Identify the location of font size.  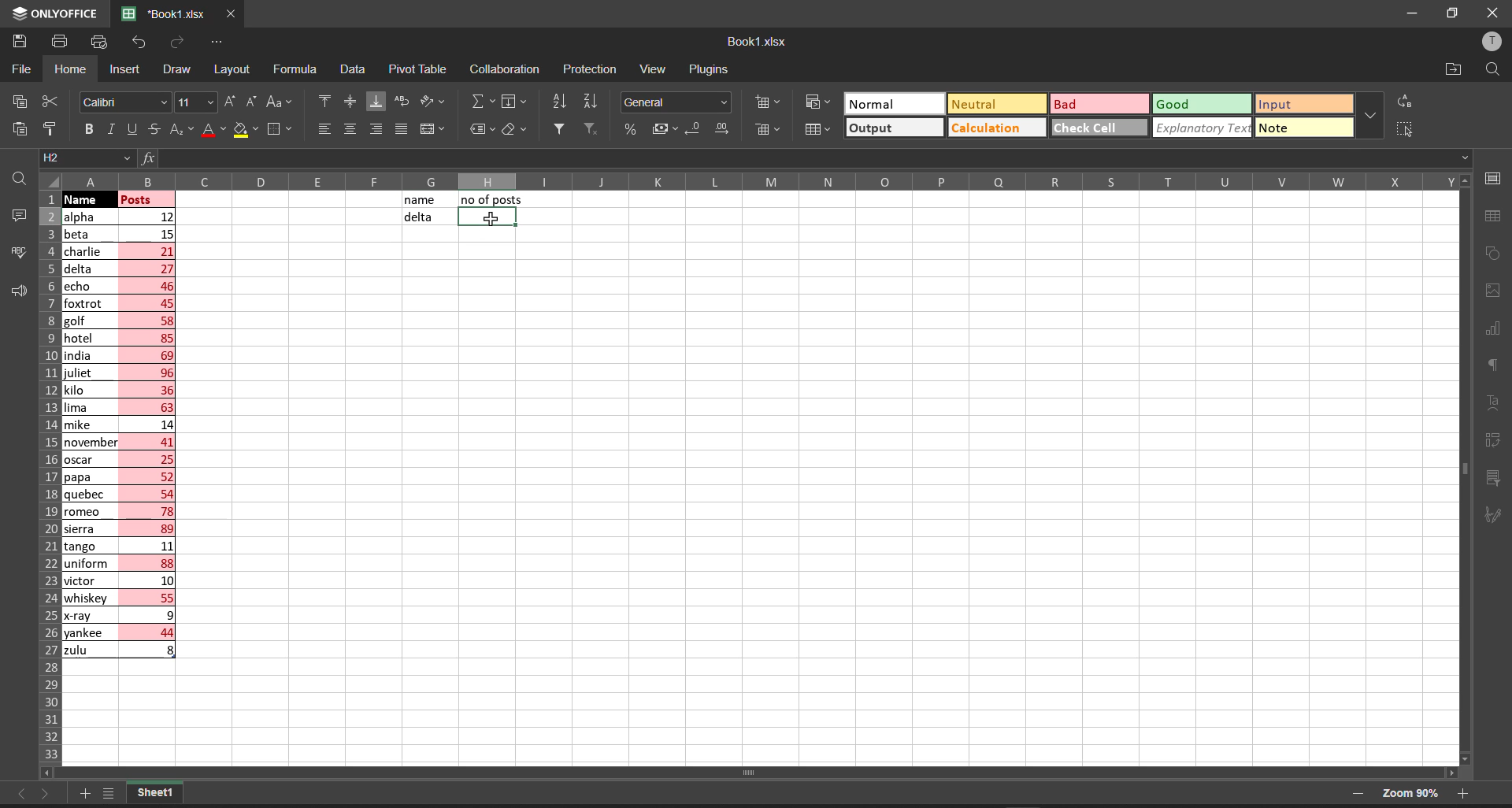
(196, 102).